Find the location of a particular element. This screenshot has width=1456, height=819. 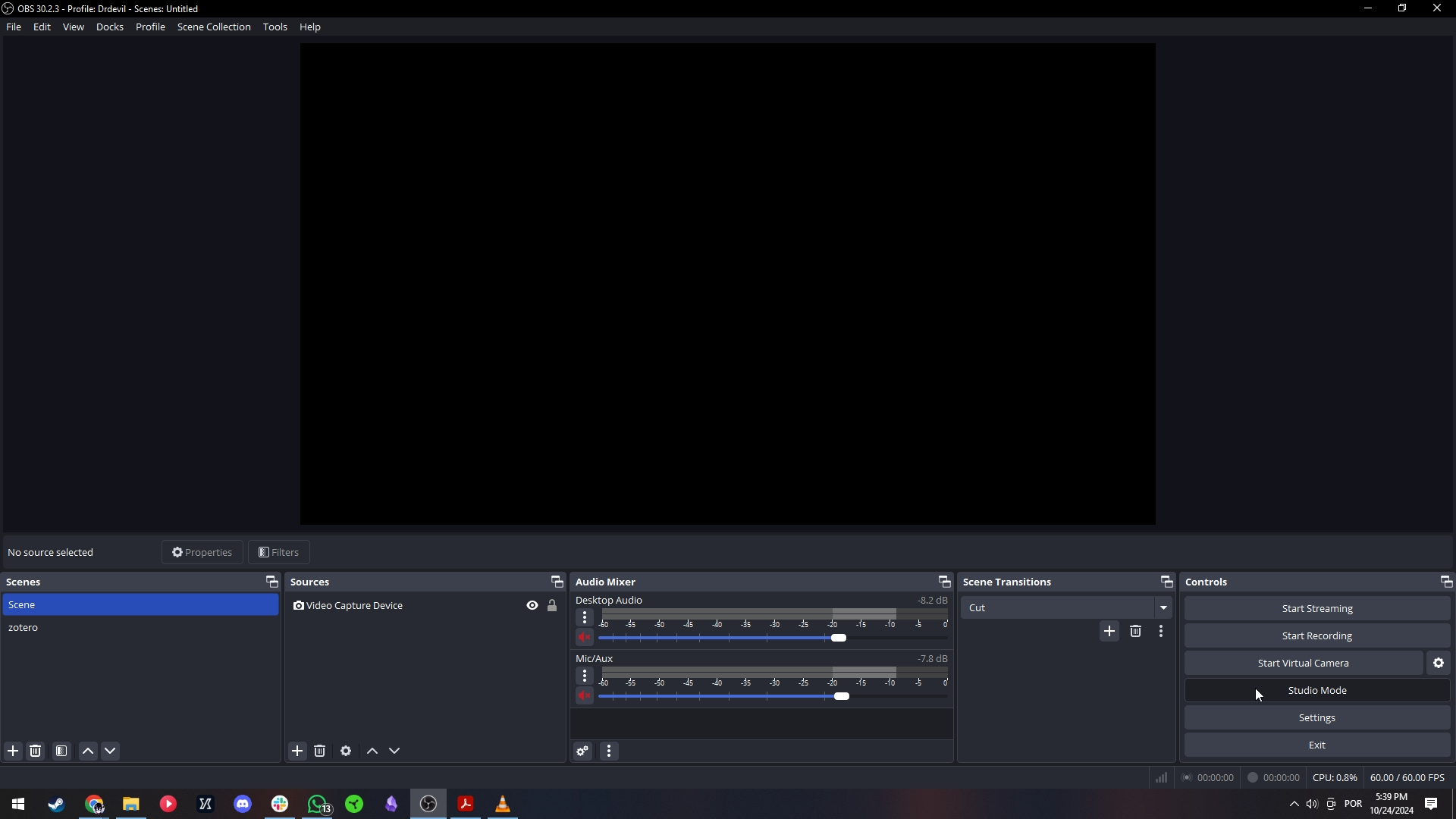

Audio mixer header is located at coordinates (753, 581).